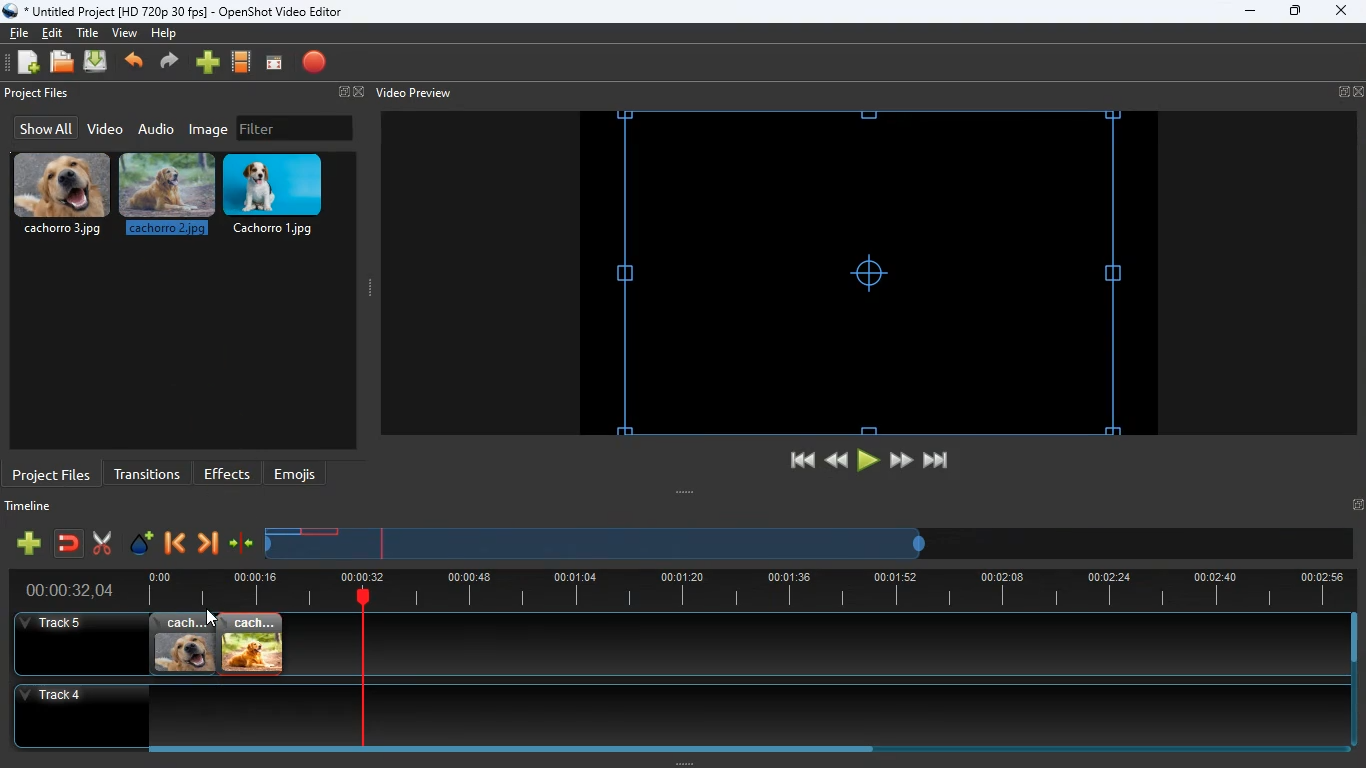 The height and width of the screenshot is (768, 1366). Describe the element at coordinates (598, 551) in the screenshot. I see `timeline` at that location.